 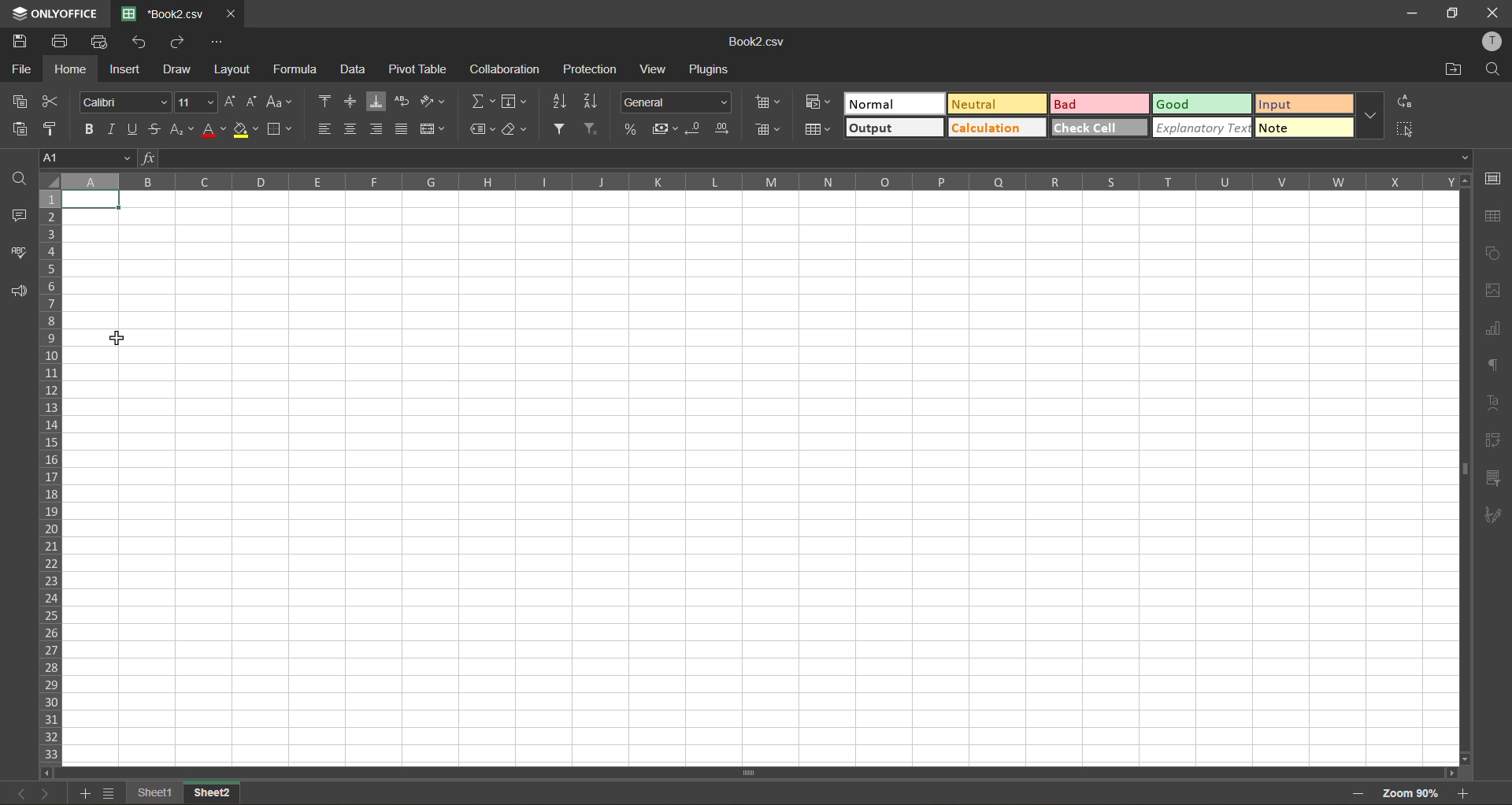 What do you see at coordinates (591, 102) in the screenshot?
I see `sort descending` at bounding box center [591, 102].